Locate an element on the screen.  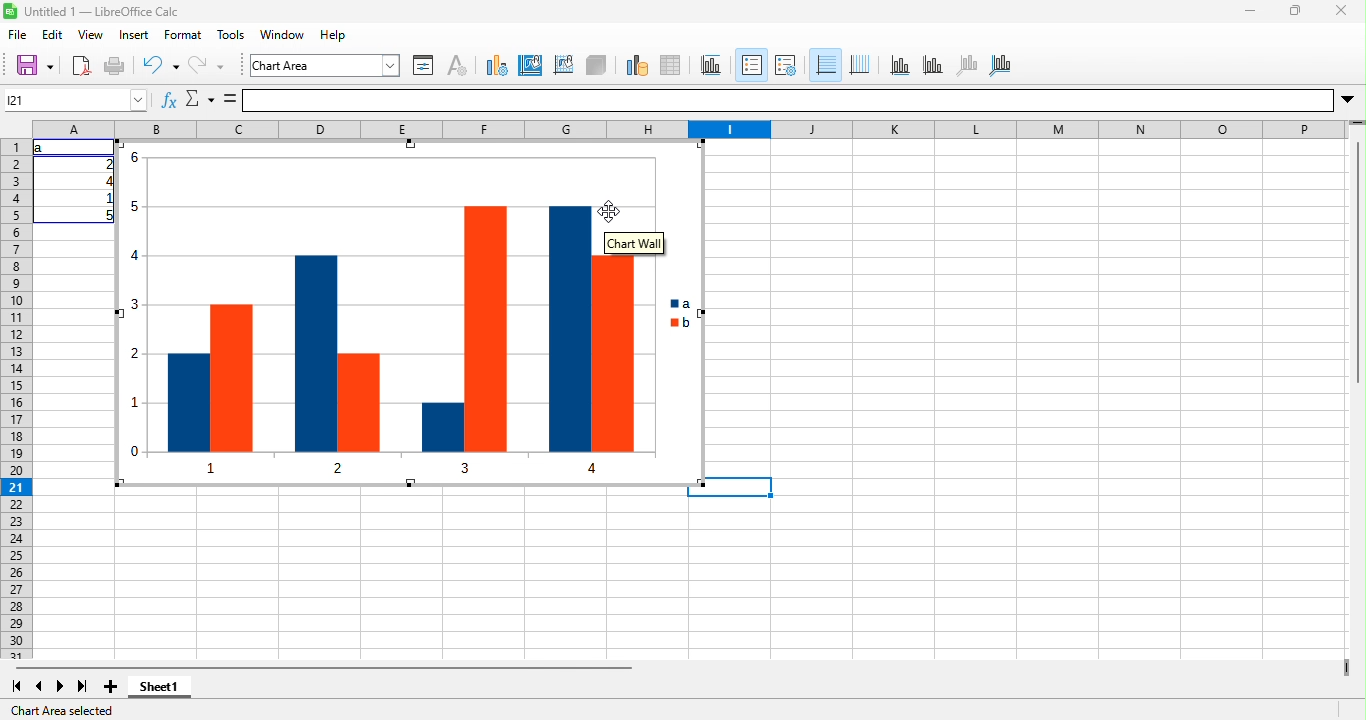
legend is located at coordinates (786, 66).